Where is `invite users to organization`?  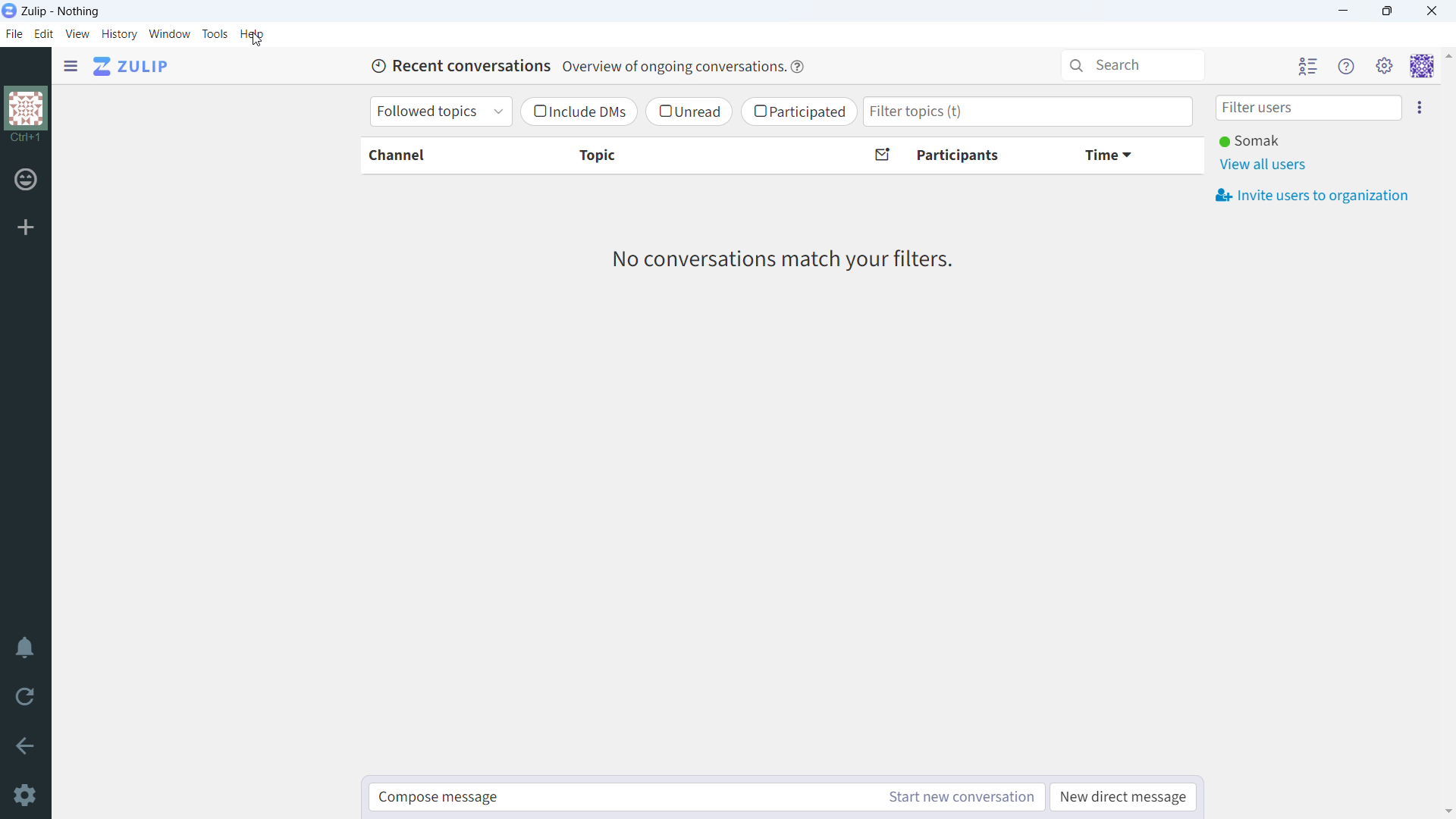
invite users to organization is located at coordinates (1313, 195).